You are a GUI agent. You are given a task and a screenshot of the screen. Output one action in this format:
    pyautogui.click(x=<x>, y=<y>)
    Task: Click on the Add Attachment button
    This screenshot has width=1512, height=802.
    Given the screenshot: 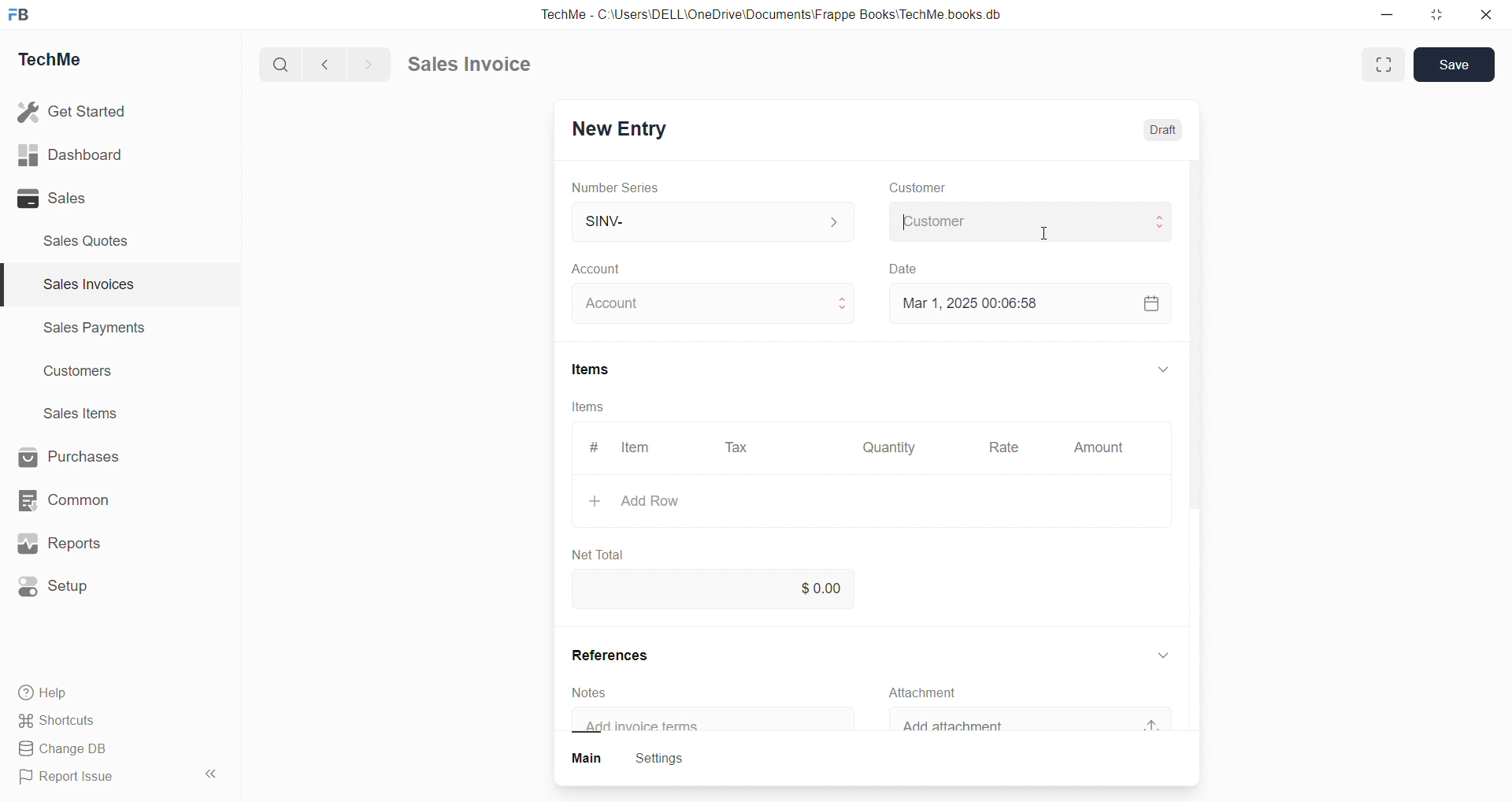 What is the action you would take?
    pyautogui.click(x=1161, y=718)
    